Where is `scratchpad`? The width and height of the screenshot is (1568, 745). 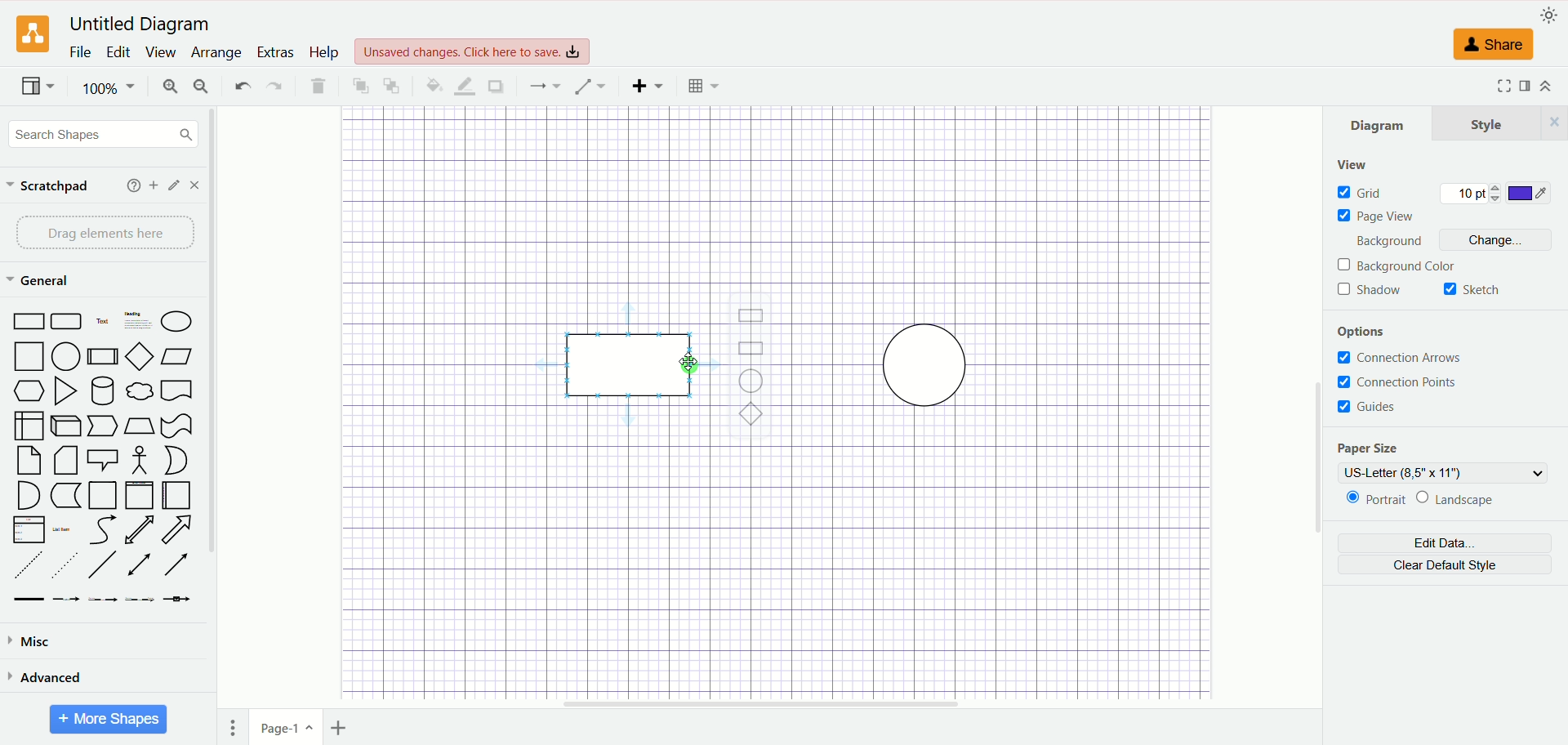
scratchpad is located at coordinates (46, 185).